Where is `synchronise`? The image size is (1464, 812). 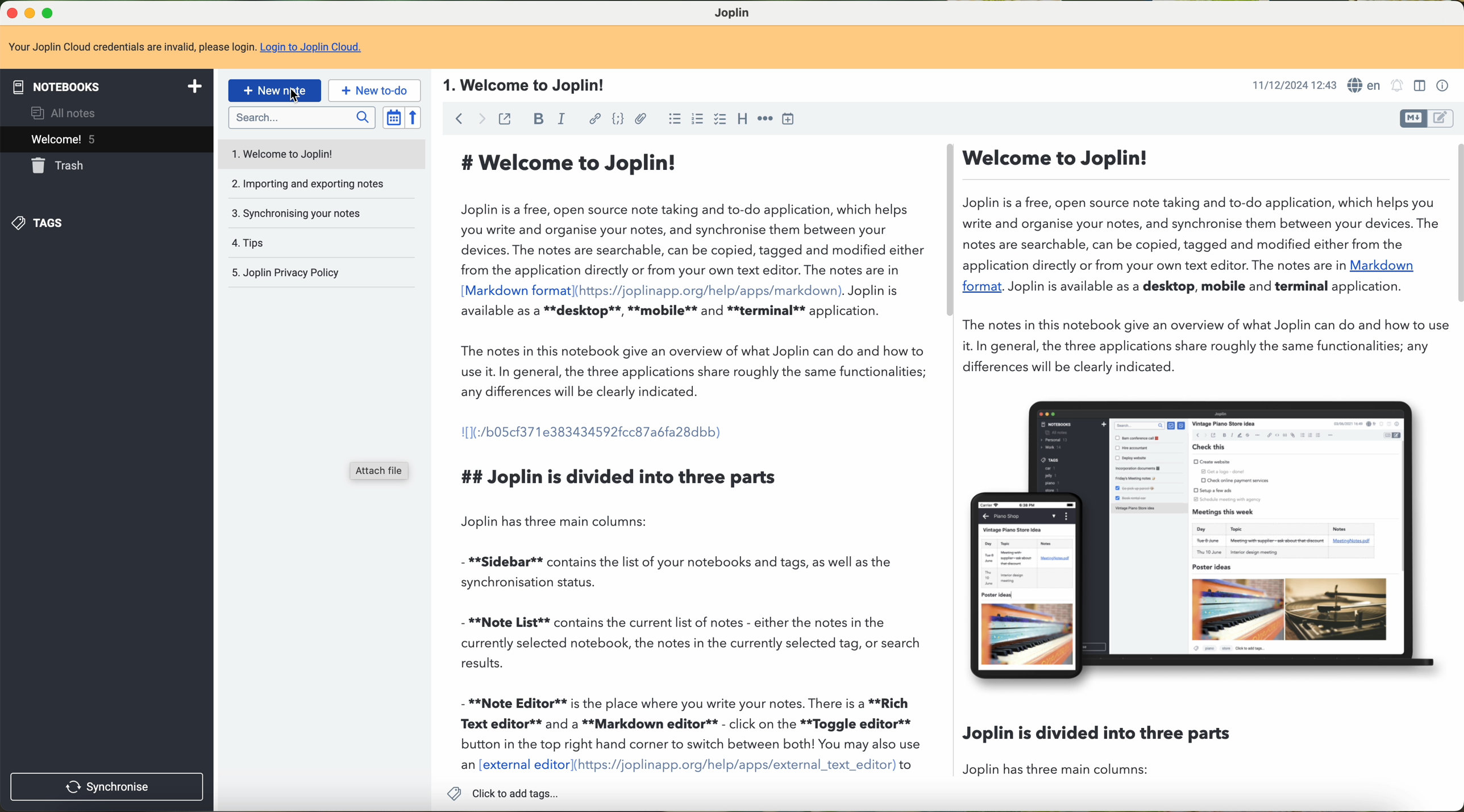 synchronise is located at coordinates (106, 788).